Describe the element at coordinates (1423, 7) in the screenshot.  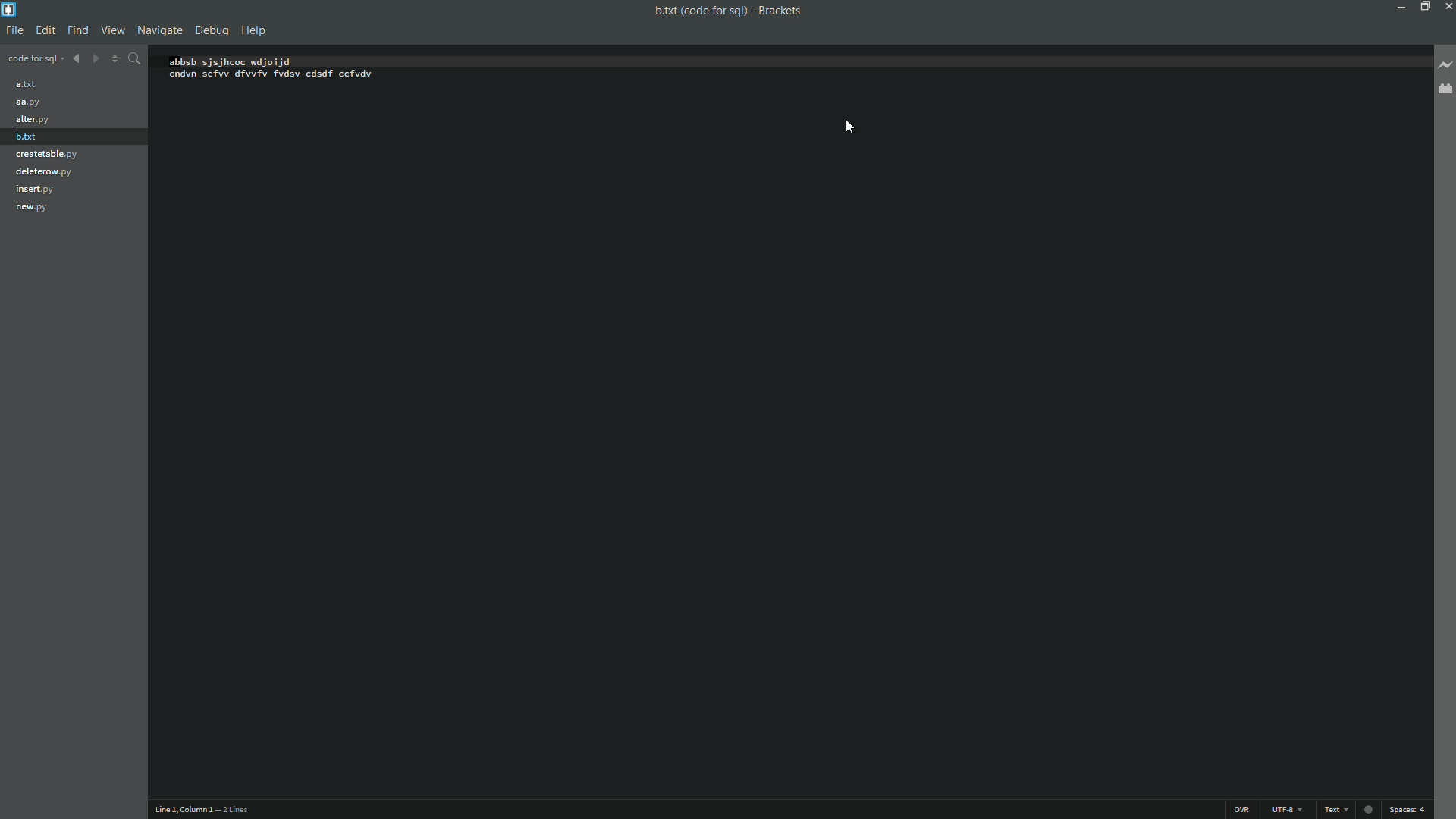
I see `maximize` at that location.